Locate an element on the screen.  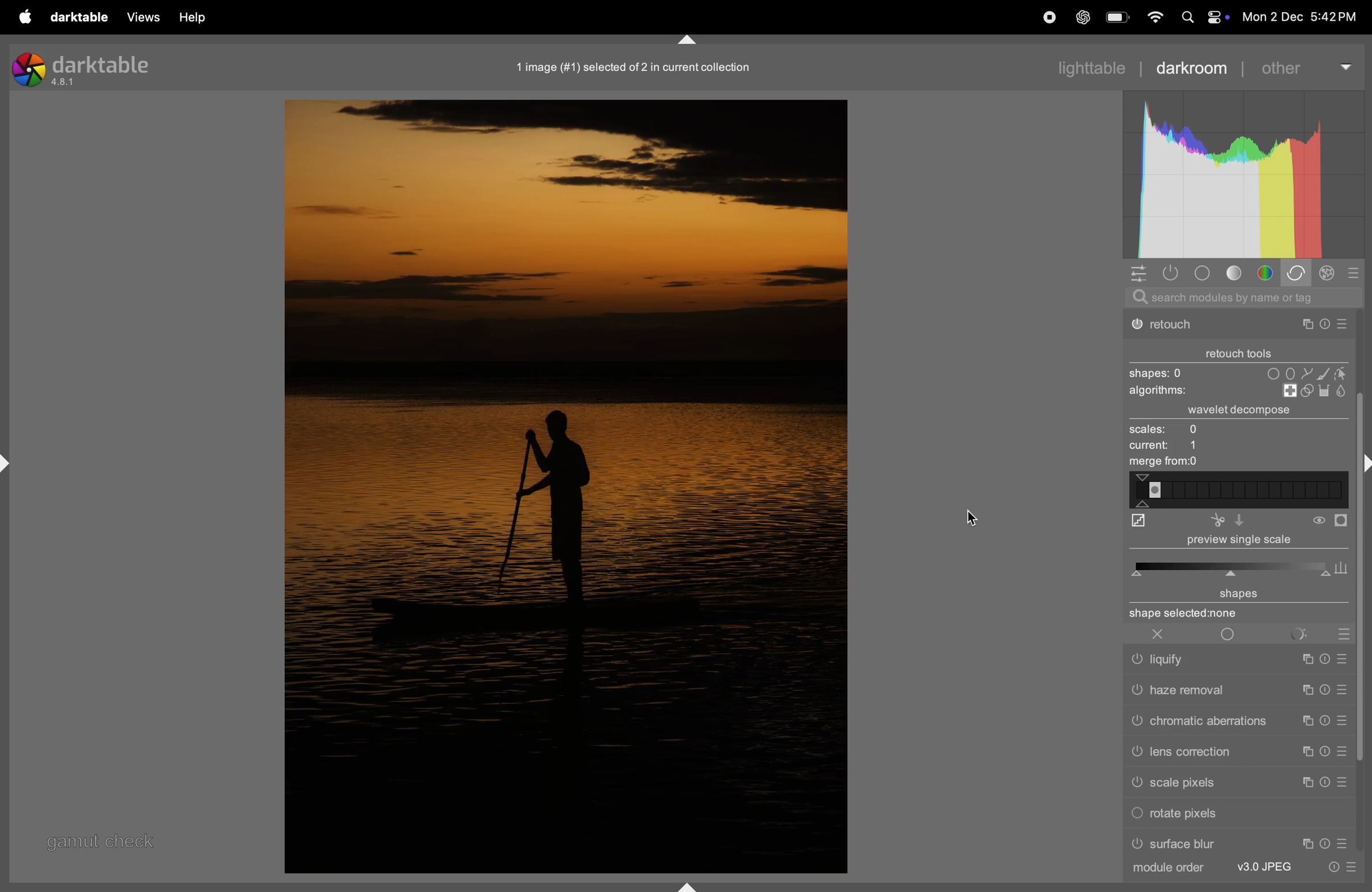
views is located at coordinates (145, 17).